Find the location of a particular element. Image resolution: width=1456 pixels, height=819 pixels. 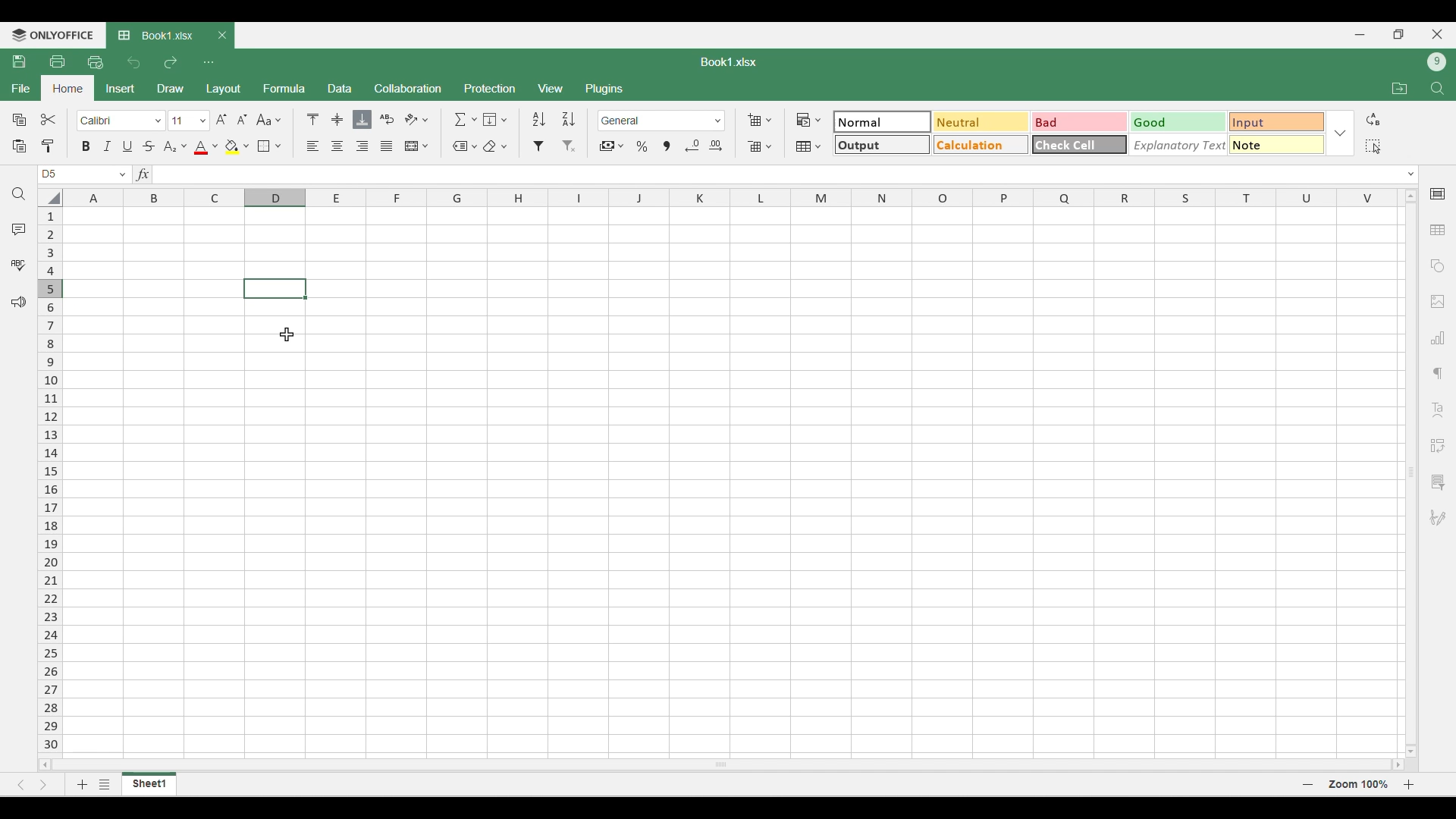

Strike through  is located at coordinates (149, 146).